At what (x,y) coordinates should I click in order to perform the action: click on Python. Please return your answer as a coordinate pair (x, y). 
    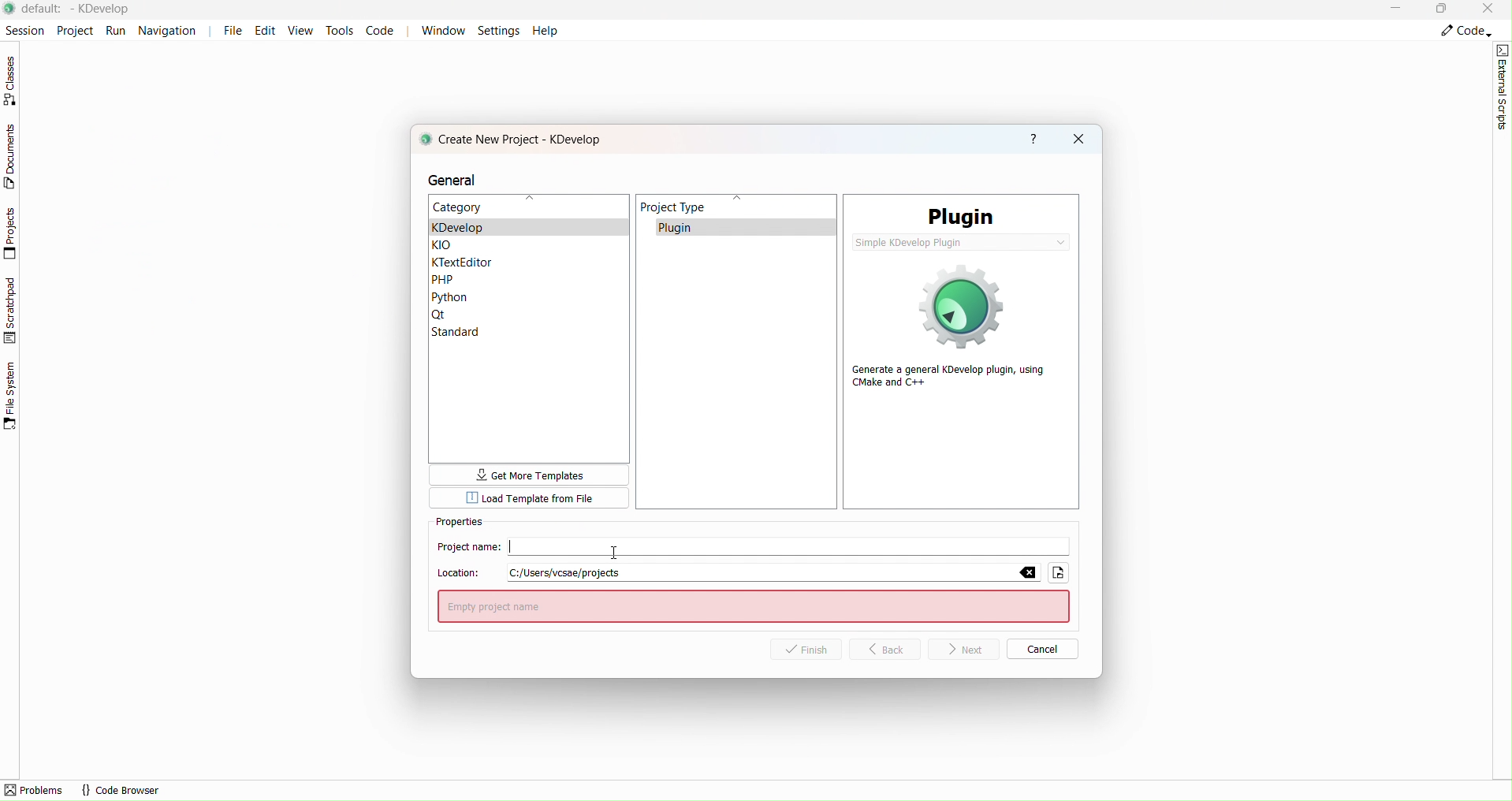
    Looking at the image, I should click on (452, 296).